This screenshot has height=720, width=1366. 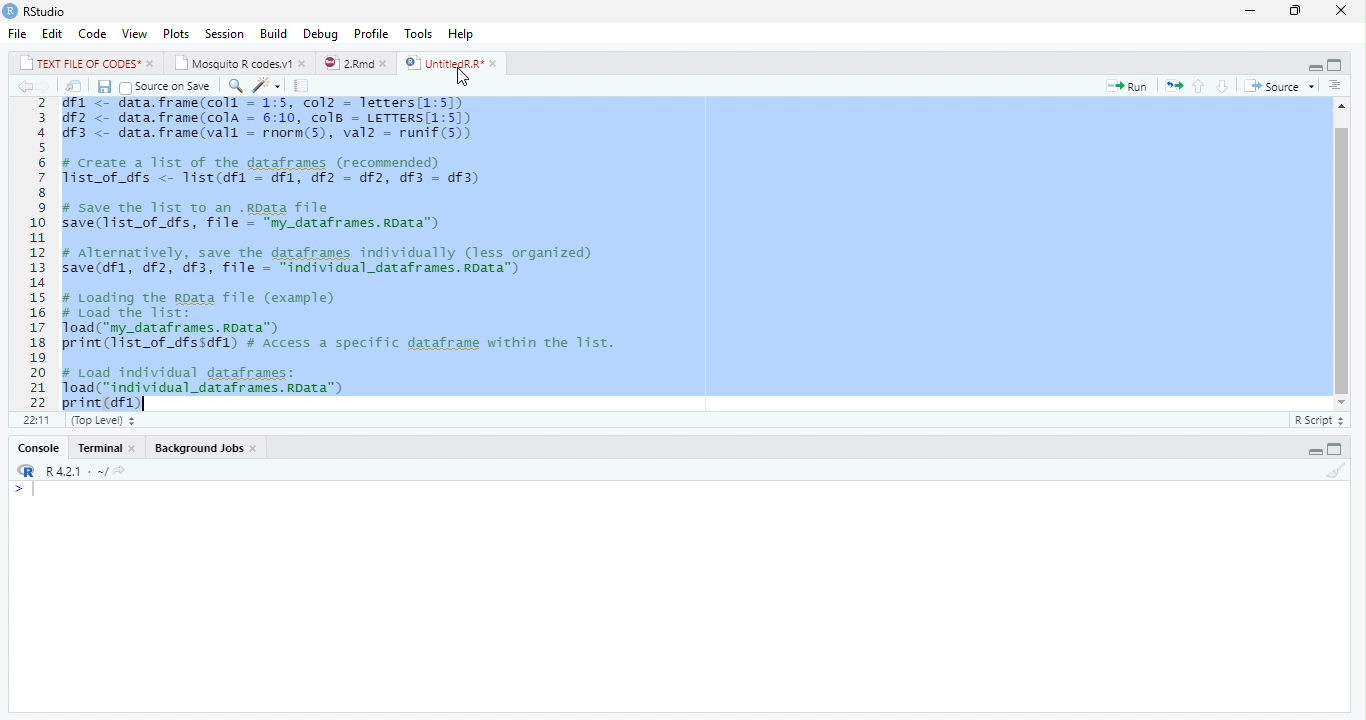 I want to click on Code Tools, so click(x=268, y=87).